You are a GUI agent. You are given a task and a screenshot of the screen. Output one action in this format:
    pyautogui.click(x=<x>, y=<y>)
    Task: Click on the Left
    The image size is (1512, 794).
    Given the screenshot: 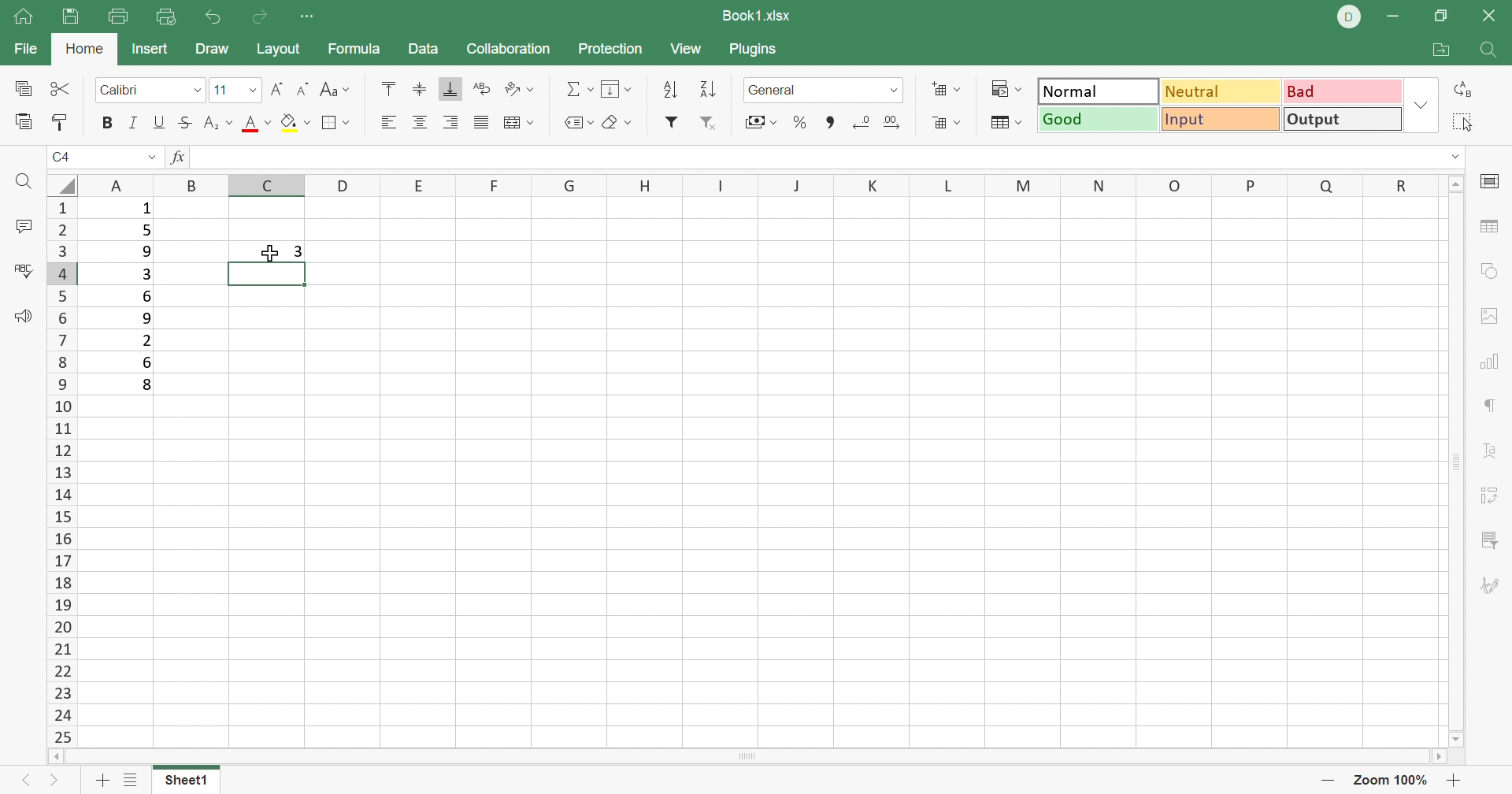 What is the action you would take?
    pyautogui.click(x=19, y=783)
    